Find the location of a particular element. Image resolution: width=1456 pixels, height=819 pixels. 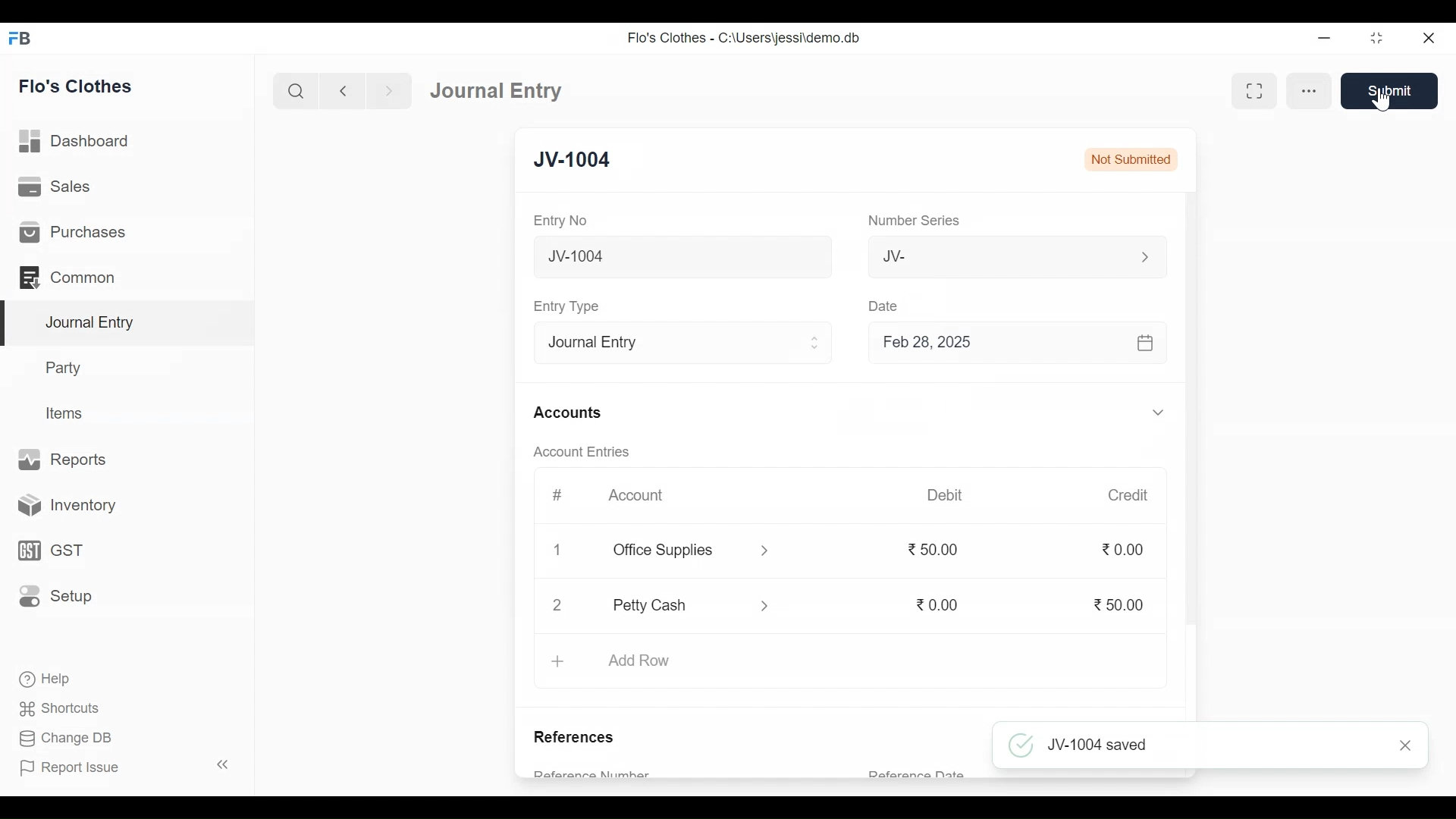

Expand is located at coordinates (765, 552).